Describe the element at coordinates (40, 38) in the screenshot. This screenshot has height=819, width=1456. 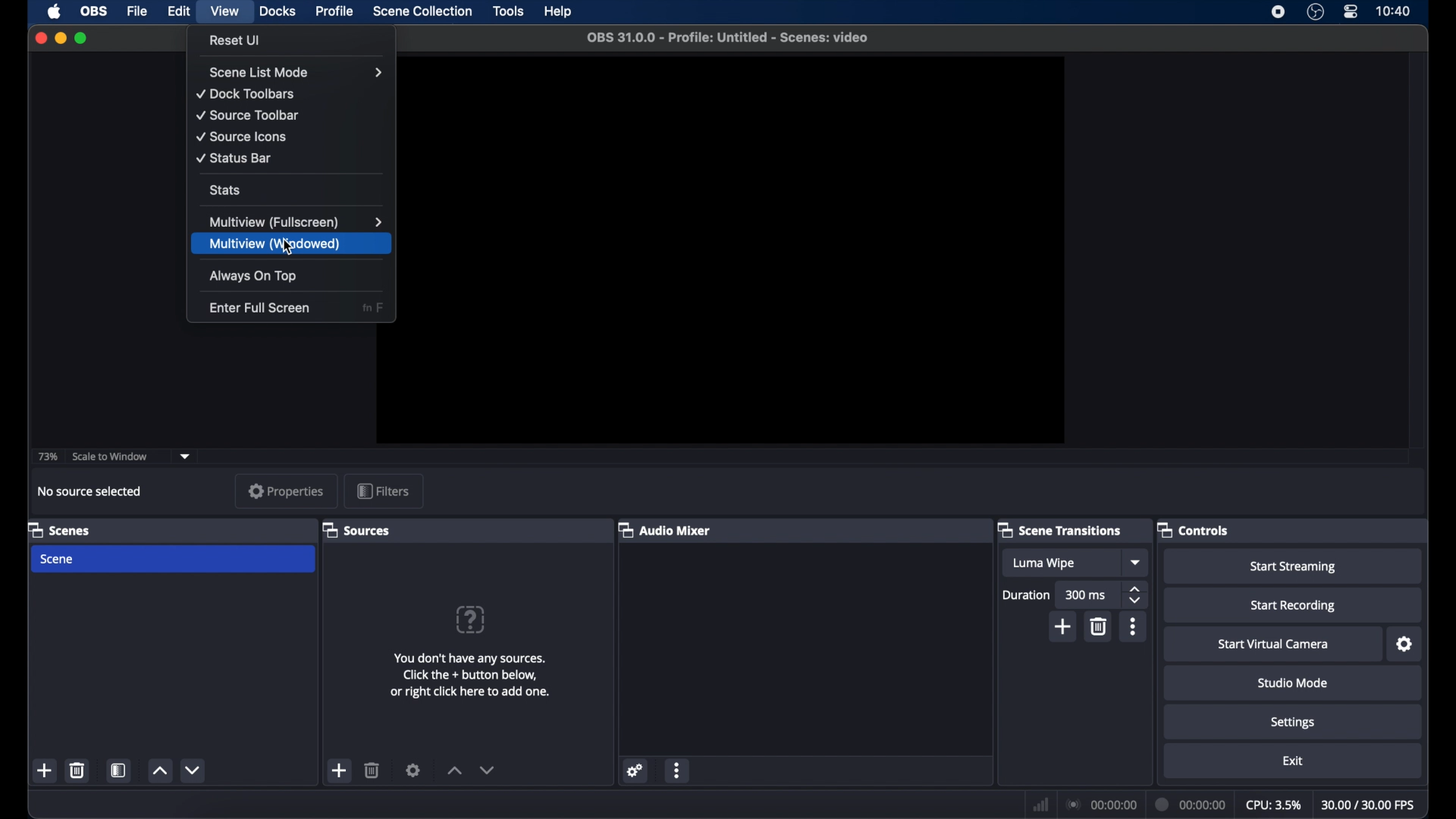
I see `close` at that location.